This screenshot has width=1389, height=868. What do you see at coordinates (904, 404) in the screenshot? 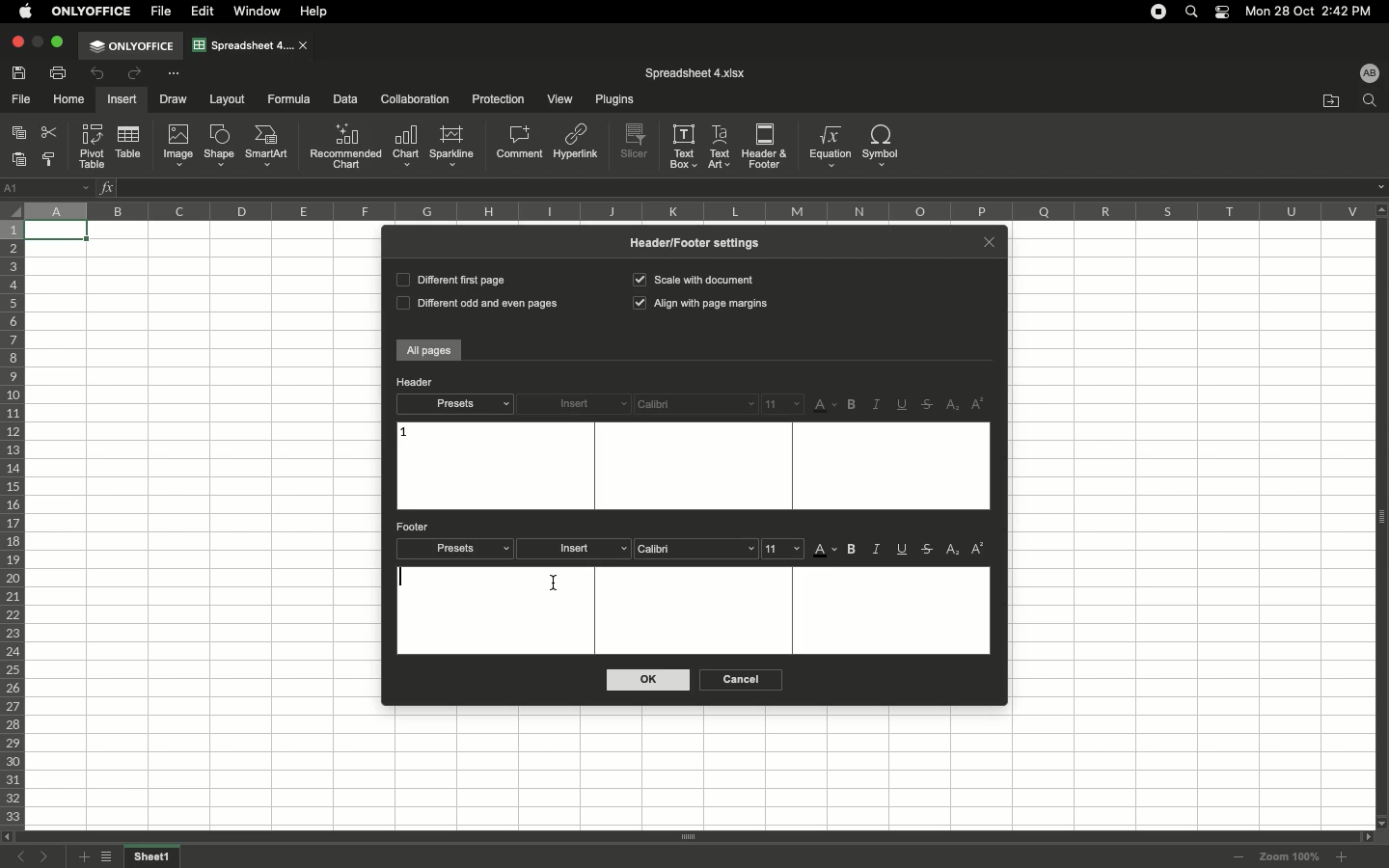
I see `Underline` at bounding box center [904, 404].